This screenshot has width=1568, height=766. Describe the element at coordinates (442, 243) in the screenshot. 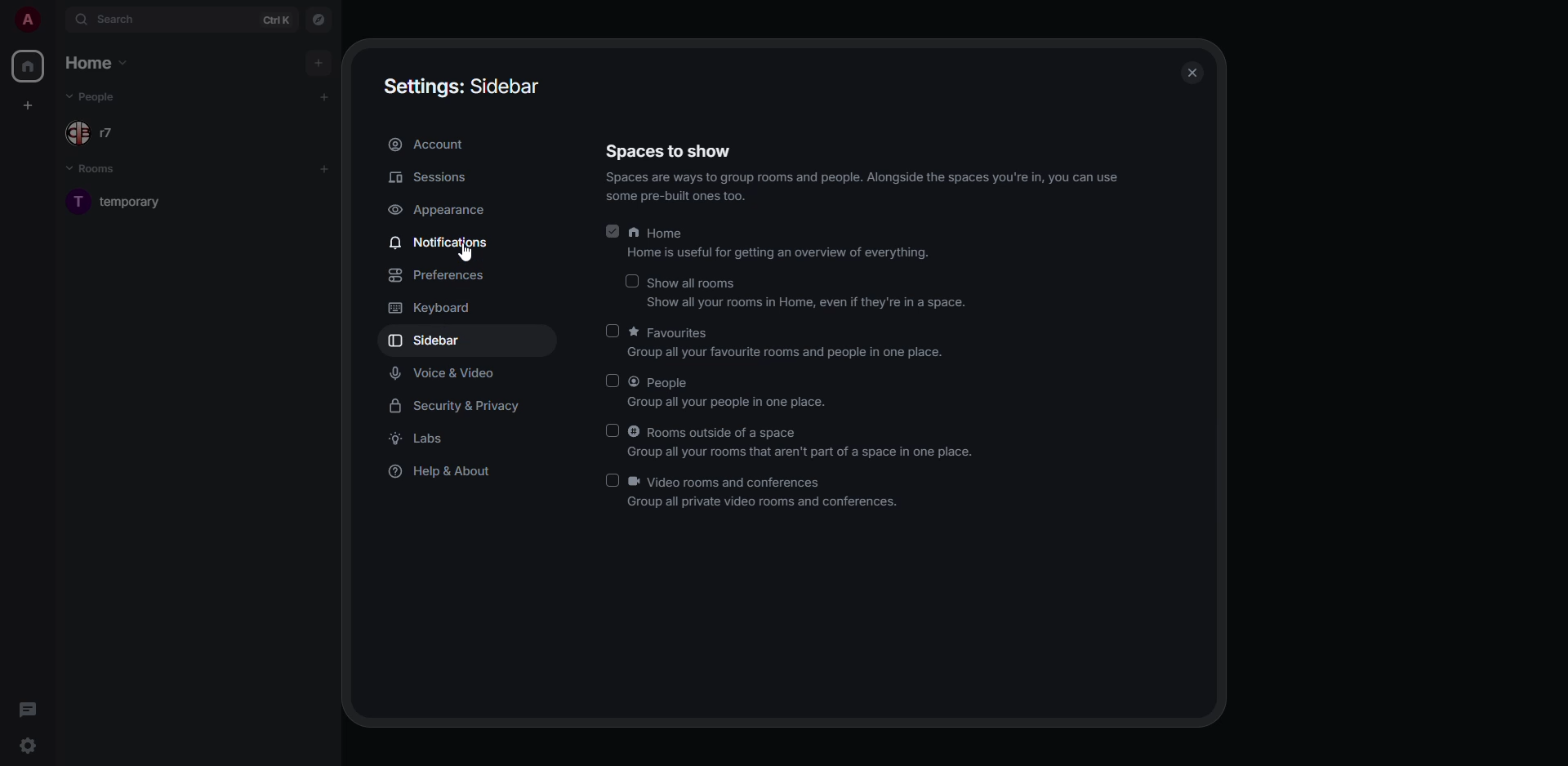

I see `notifications` at that location.